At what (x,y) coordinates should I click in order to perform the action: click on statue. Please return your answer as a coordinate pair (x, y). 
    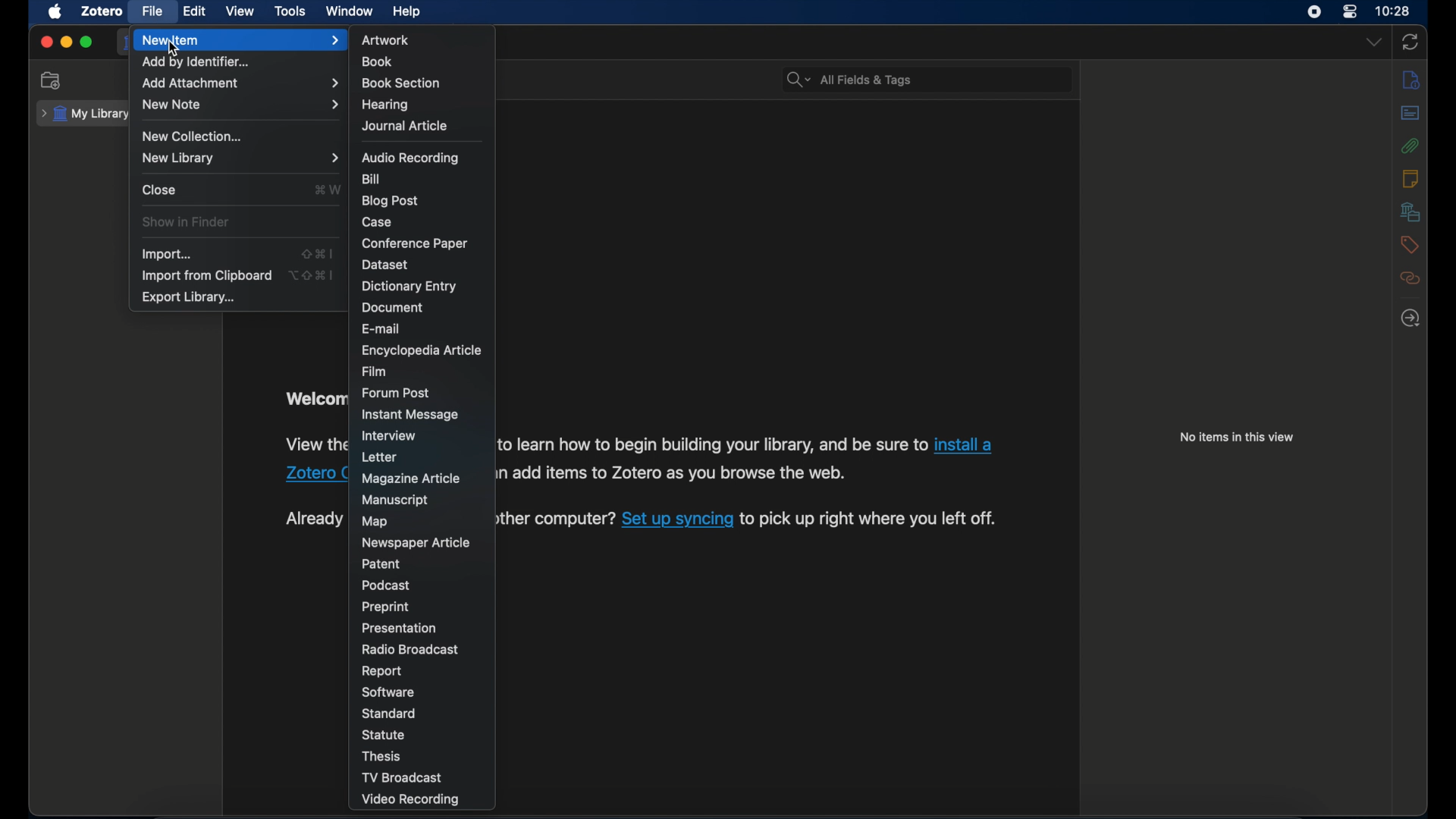
    Looking at the image, I should click on (383, 735).